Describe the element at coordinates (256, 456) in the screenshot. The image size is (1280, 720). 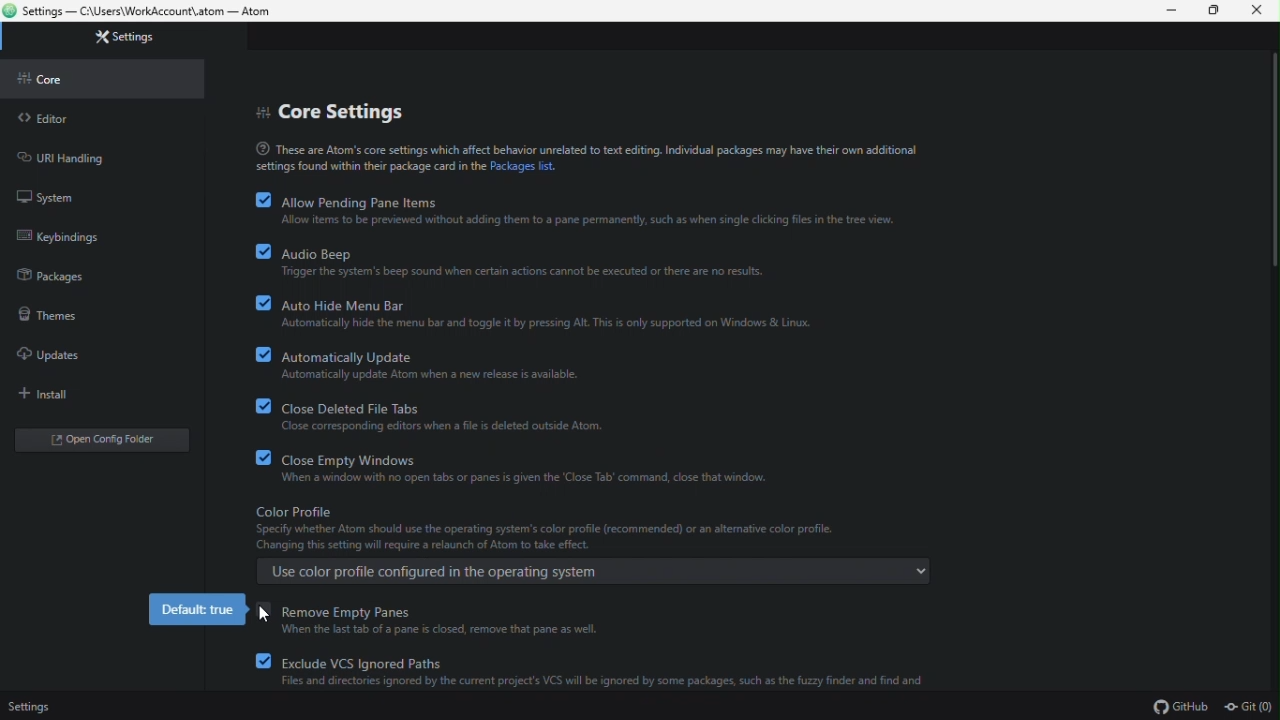
I see `checkbox` at that location.